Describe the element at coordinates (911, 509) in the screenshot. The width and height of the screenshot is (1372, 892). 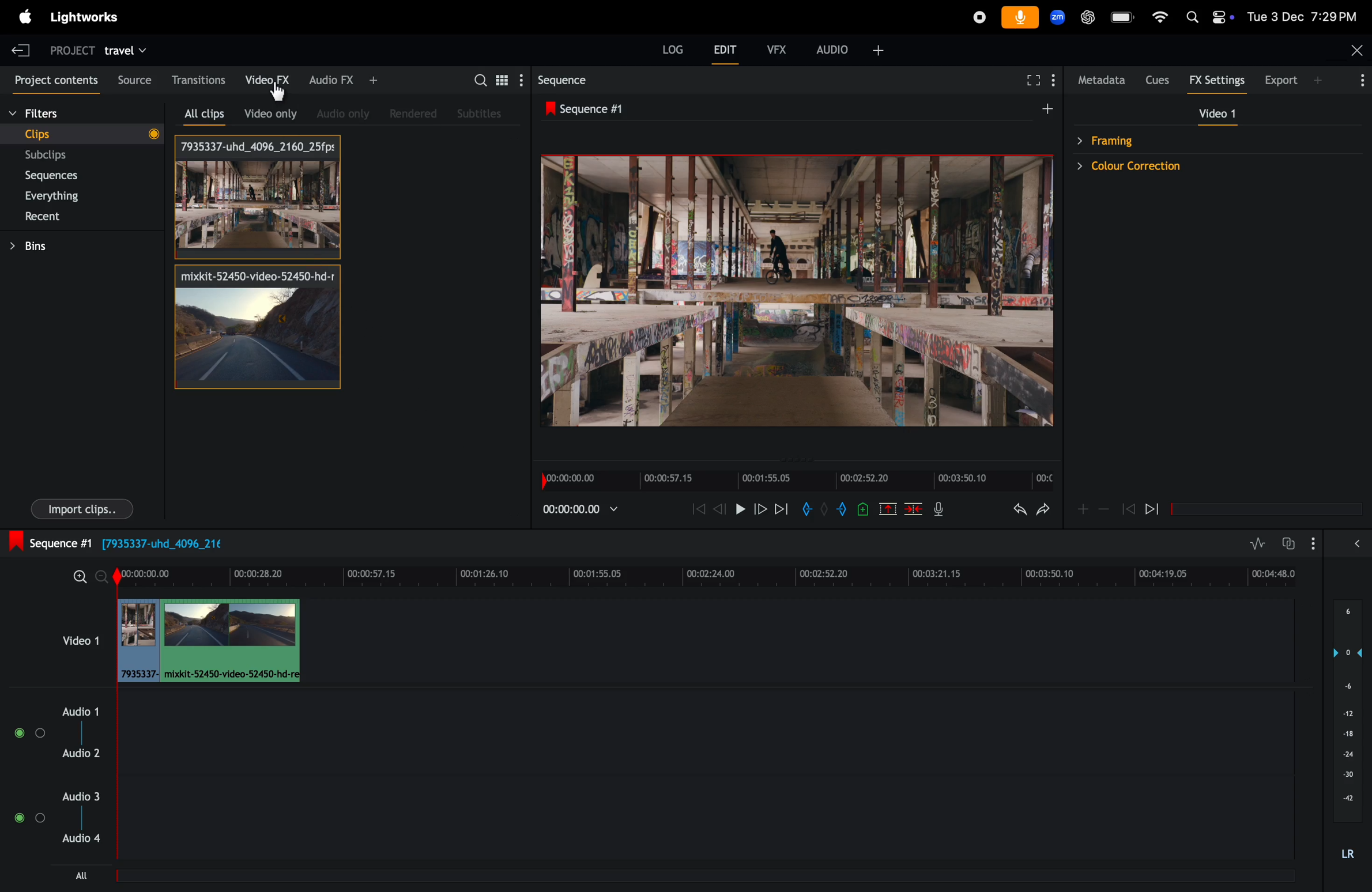
I see `delete` at that location.